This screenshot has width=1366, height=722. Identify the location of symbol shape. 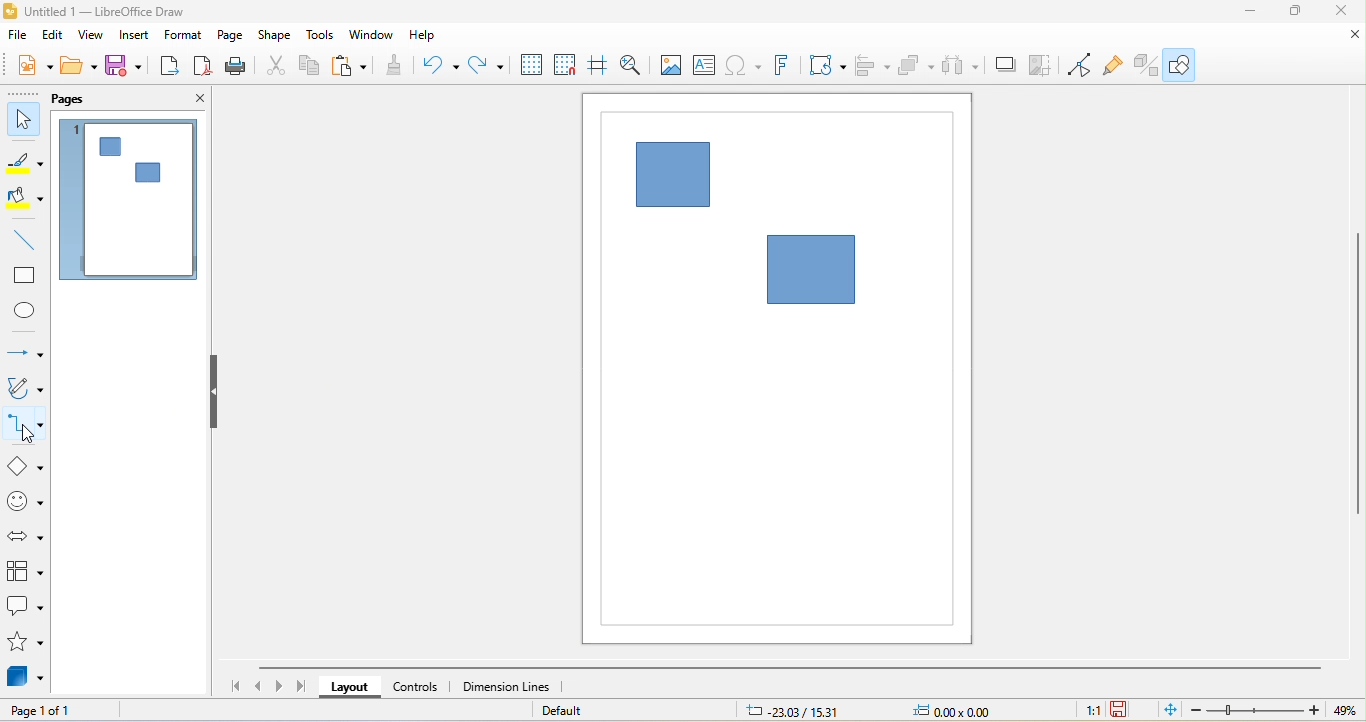
(28, 502).